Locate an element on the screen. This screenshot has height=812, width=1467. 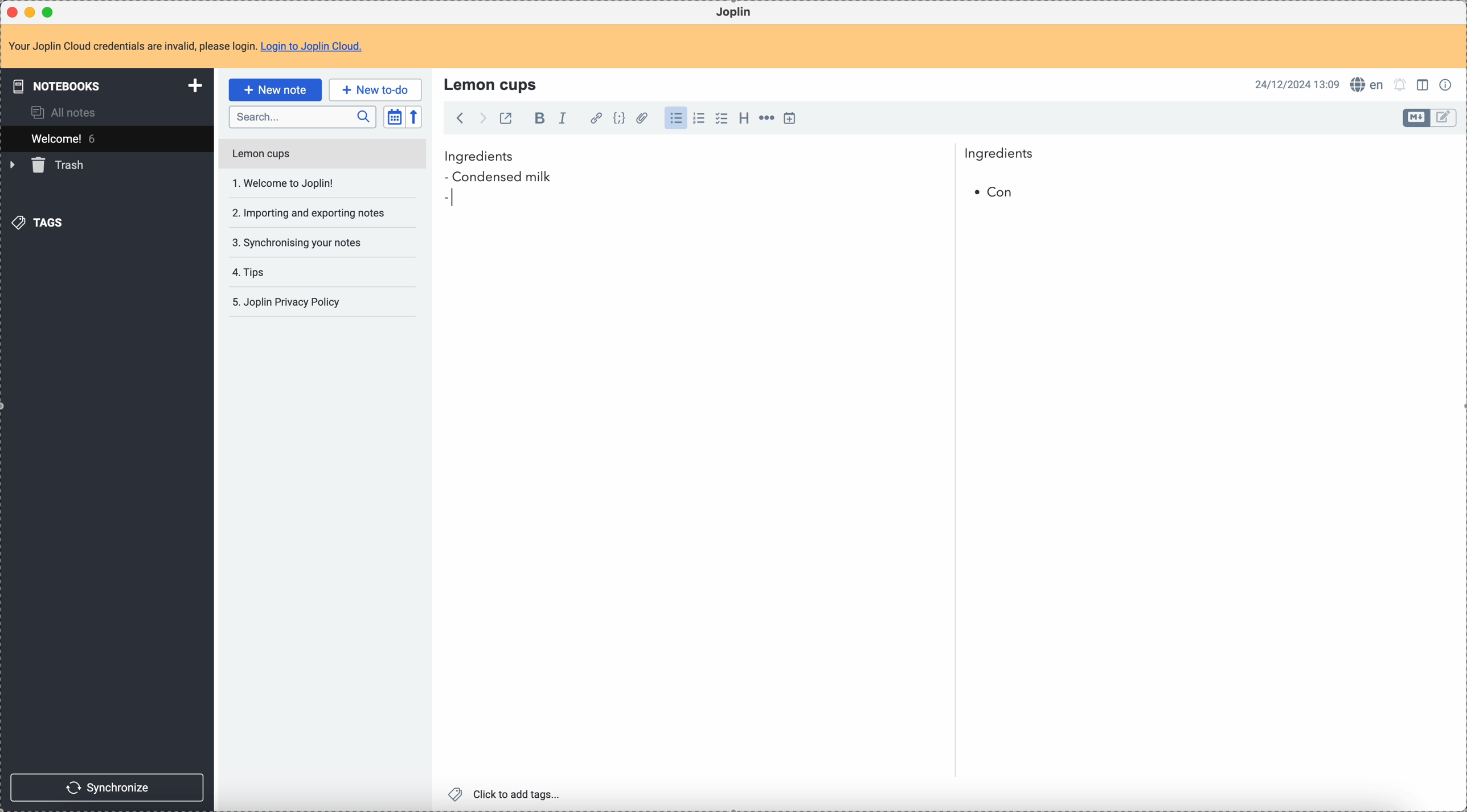
foward is located at coordinates (481, 118).